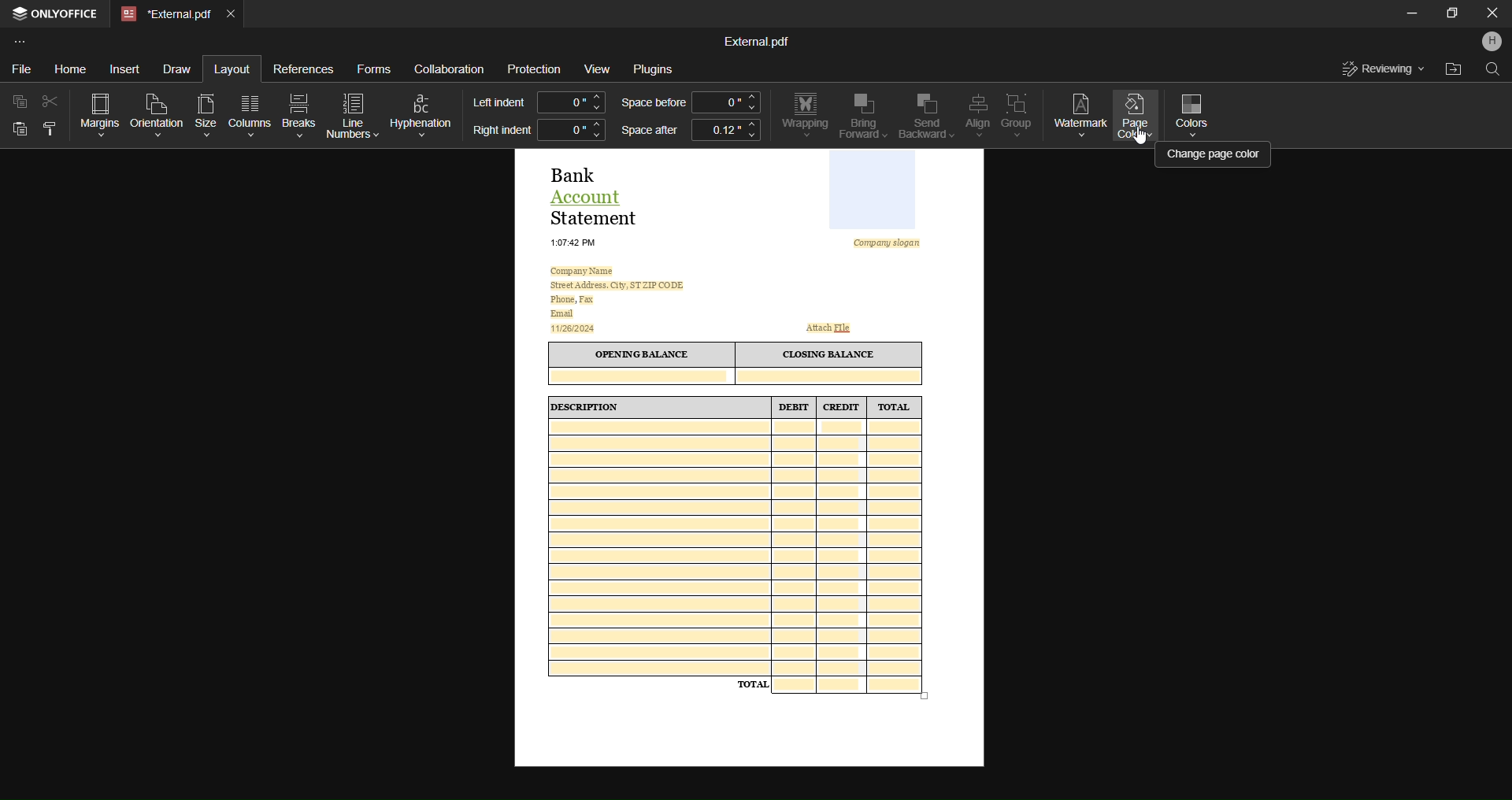  Describe the element at coordinates (921, 117) in the screenshot. I see `Send Backward` at that location.